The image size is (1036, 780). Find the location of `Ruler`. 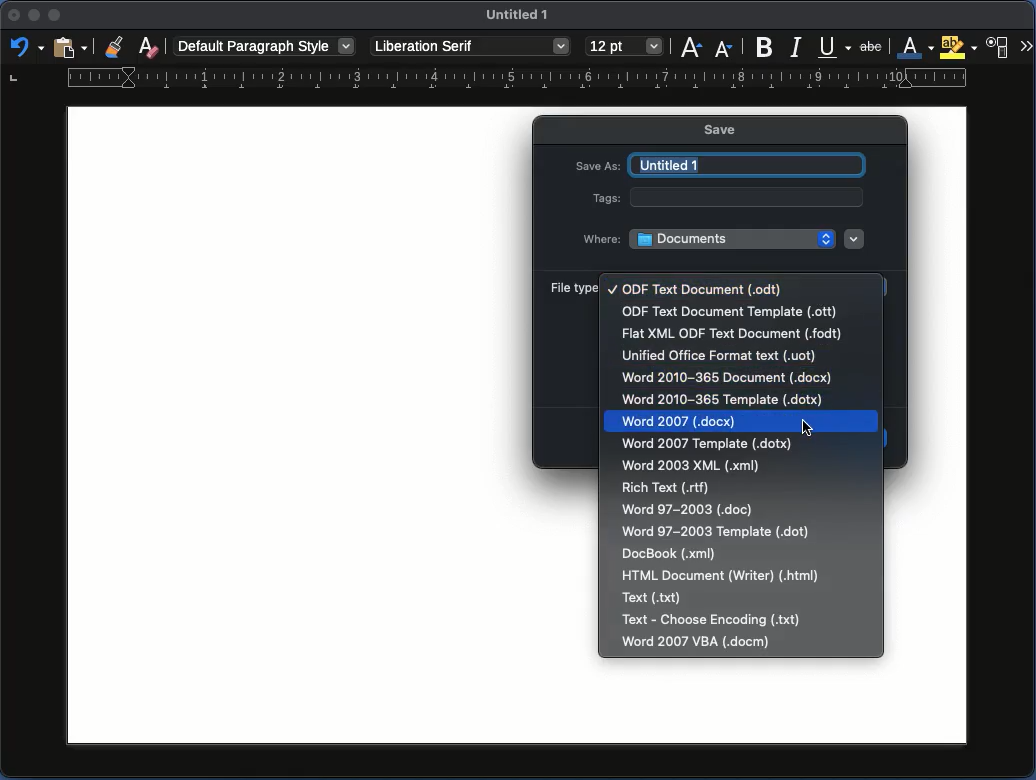

Ruler is located at coordinates (488, 80).